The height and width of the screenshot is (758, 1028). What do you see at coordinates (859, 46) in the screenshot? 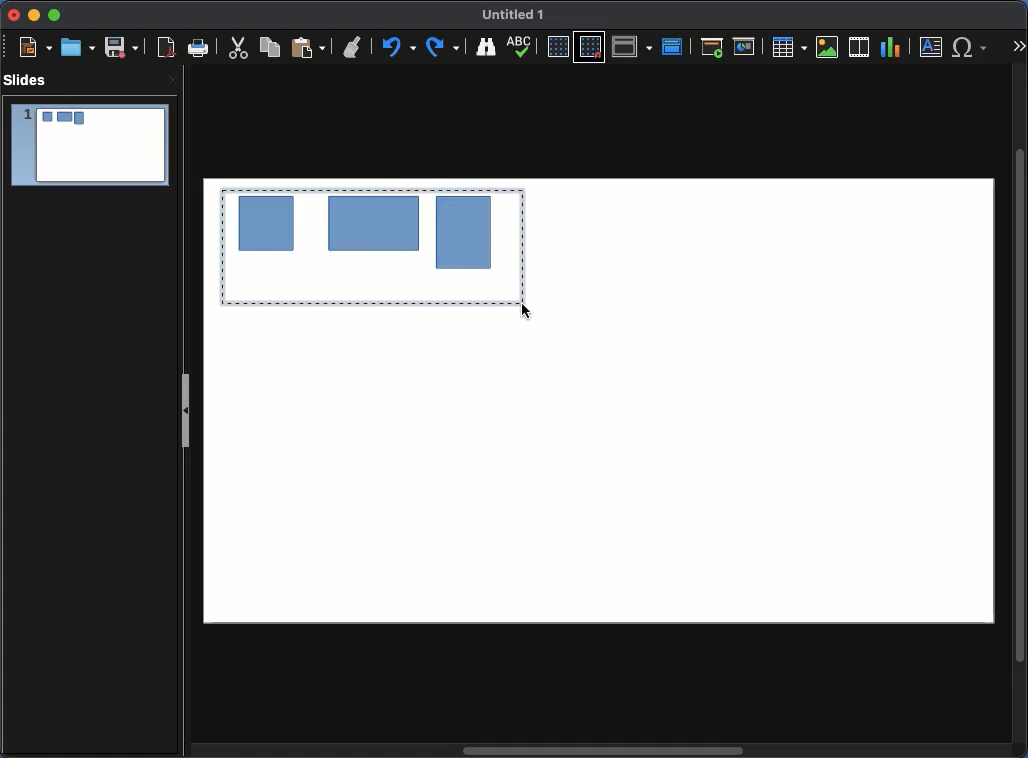
I see `Insert audio or video` at bounding box center [859, 46].